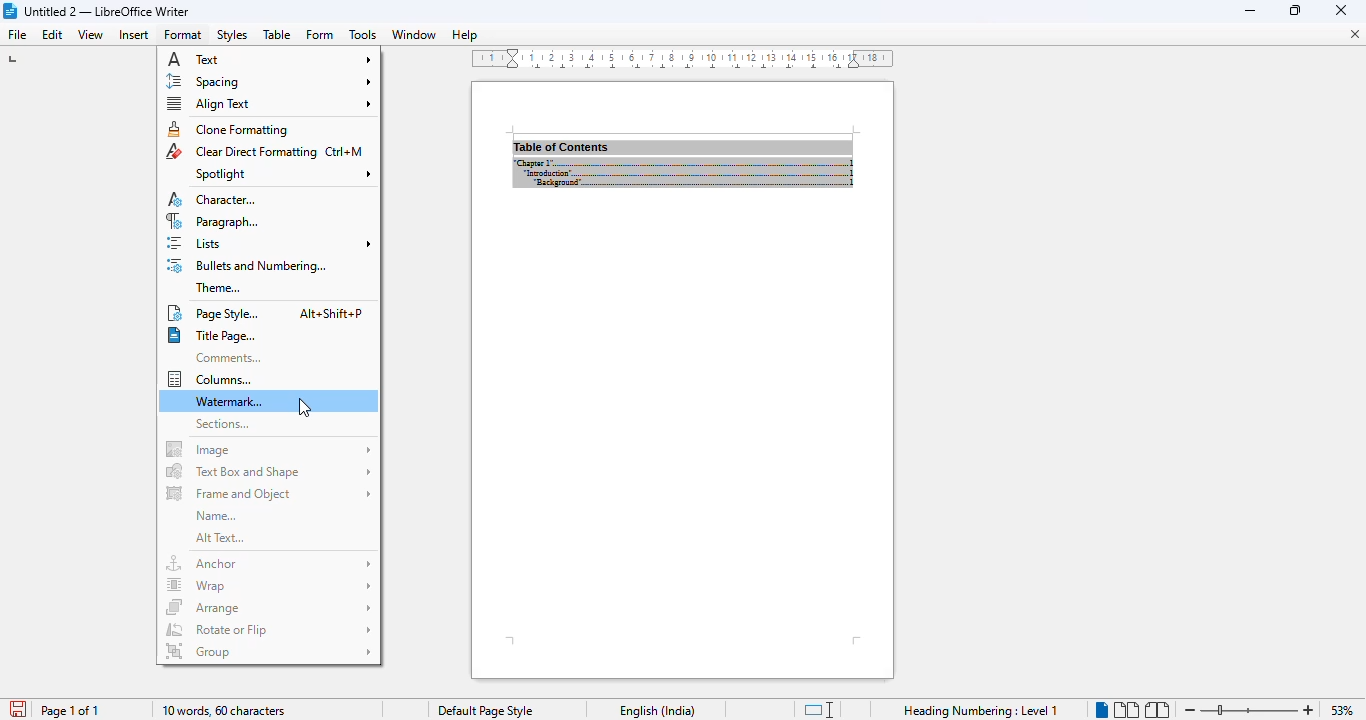 This screenshot has width=1366, height=720. I want to click on frame and object, so click(268, 493).